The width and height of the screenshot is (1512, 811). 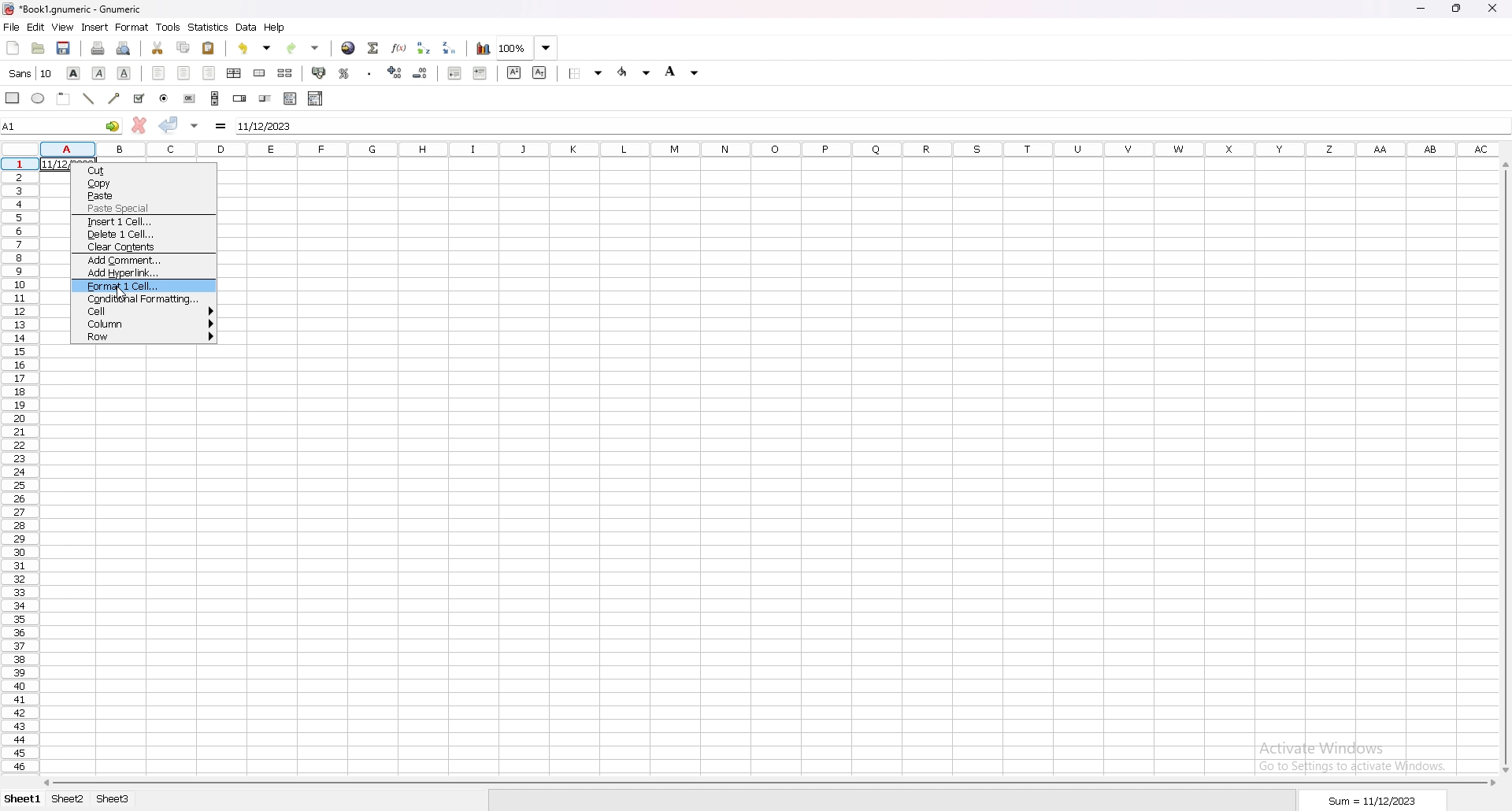 I want to click on column, so click(x=144, y=324).